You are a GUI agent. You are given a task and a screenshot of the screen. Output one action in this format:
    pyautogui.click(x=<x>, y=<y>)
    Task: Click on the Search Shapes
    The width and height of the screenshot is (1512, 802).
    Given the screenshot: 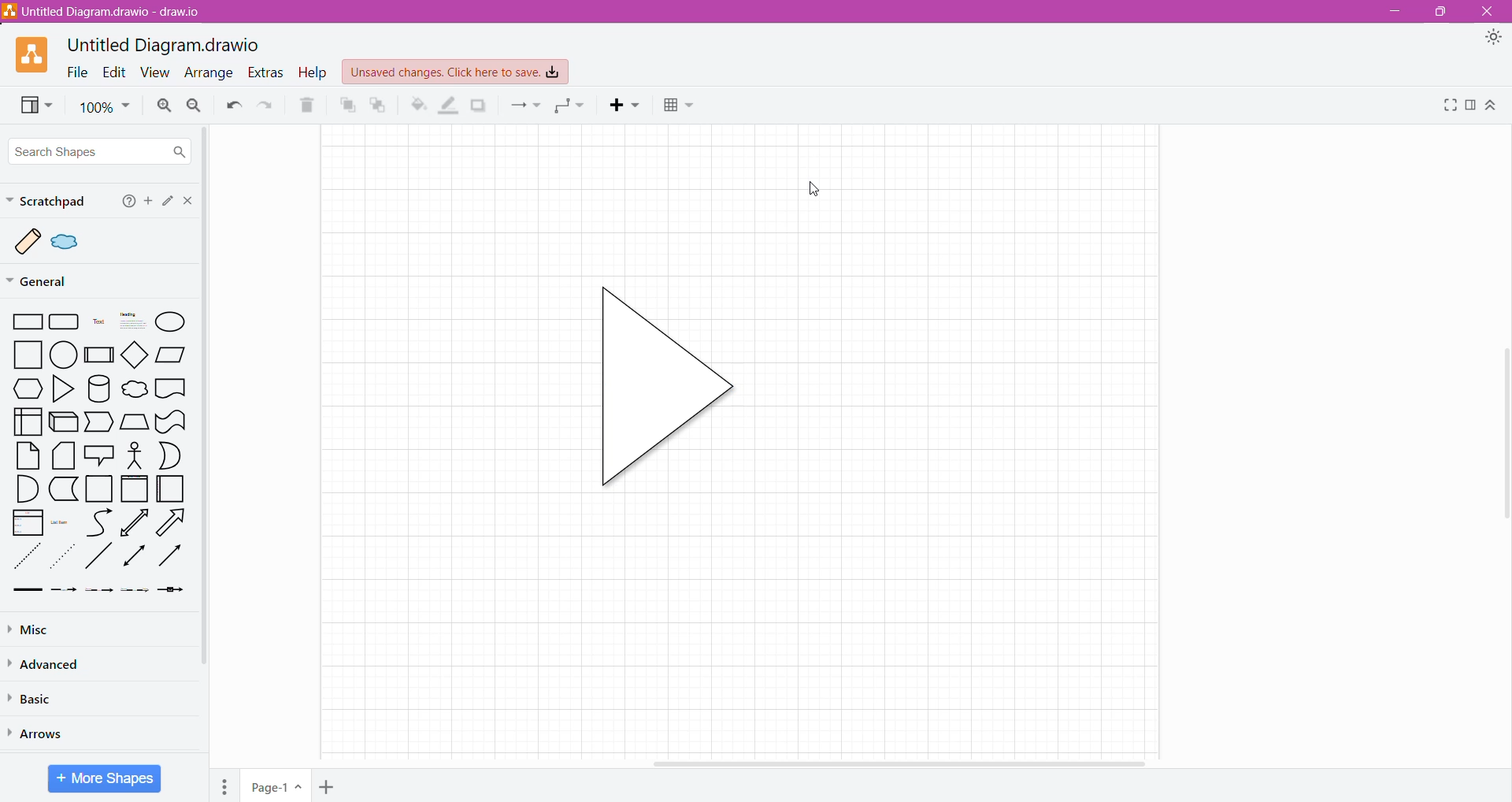 What is the action you would take?
    pyautogui.click(x=98, y=151)
    